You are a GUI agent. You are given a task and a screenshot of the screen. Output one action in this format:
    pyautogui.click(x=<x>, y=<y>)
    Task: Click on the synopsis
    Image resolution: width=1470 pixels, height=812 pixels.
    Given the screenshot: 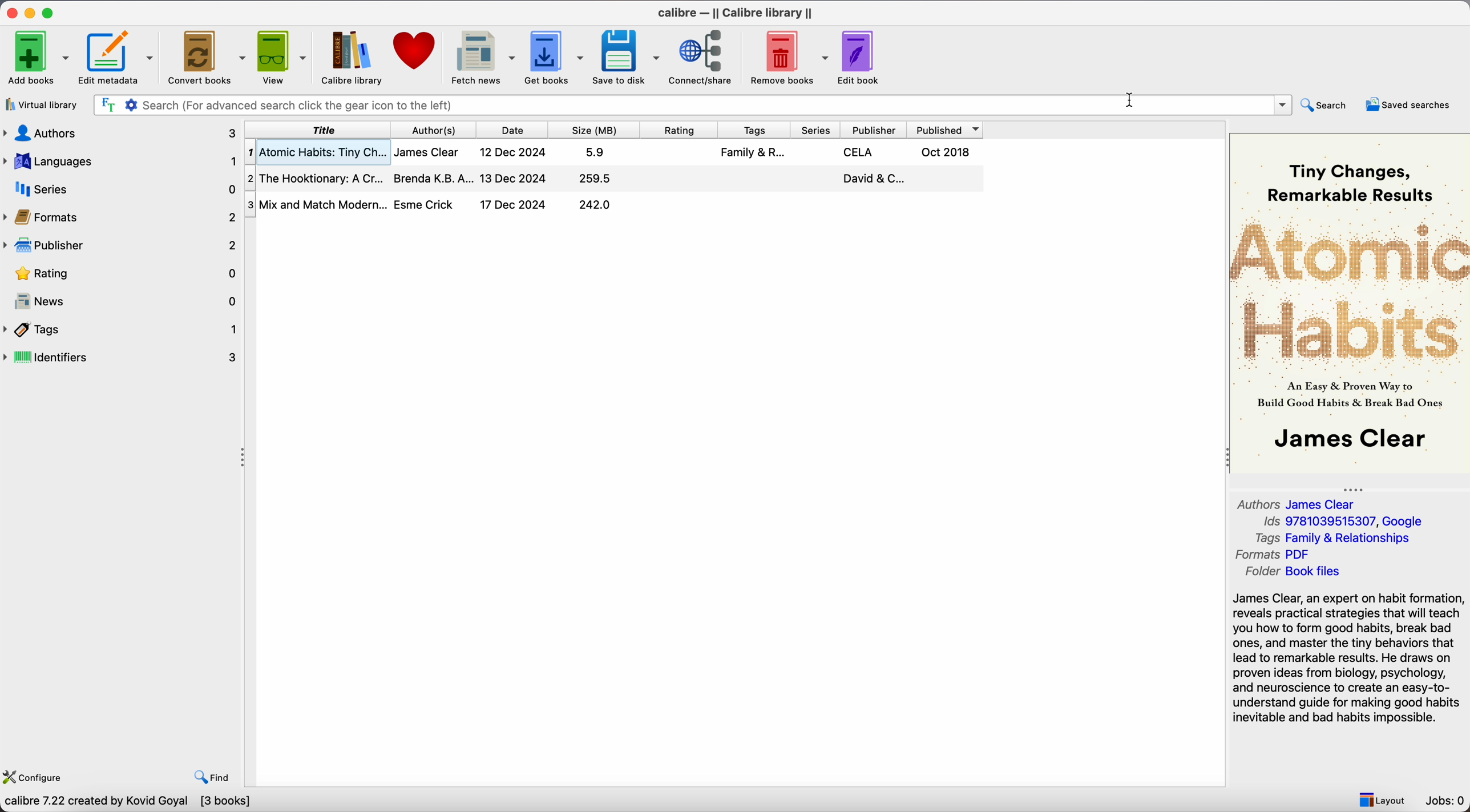 What is the action you would take?
    pyautogui.click(x=1350, y=658)
    